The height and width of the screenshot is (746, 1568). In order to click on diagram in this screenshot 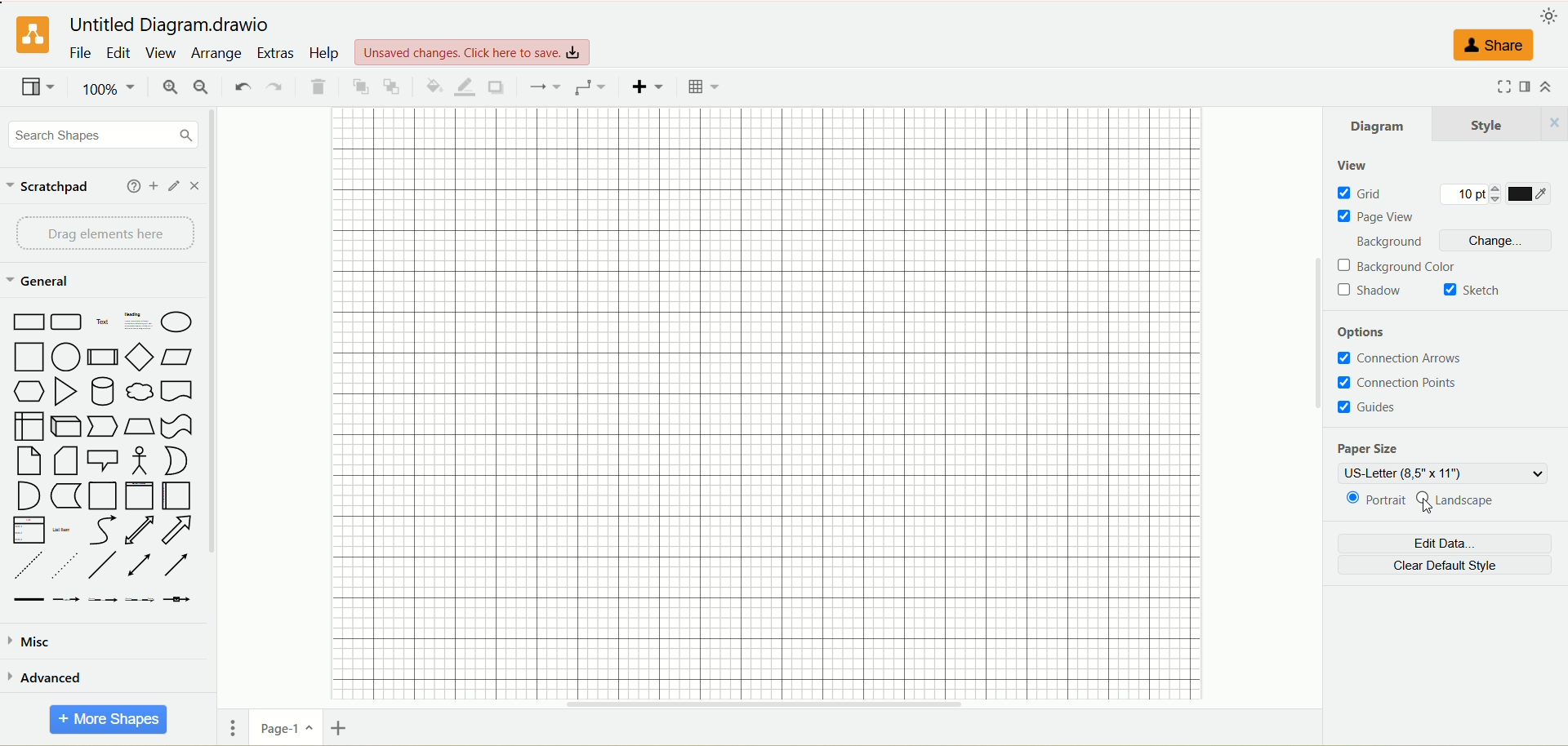, I will do `click(1376, 123)`.